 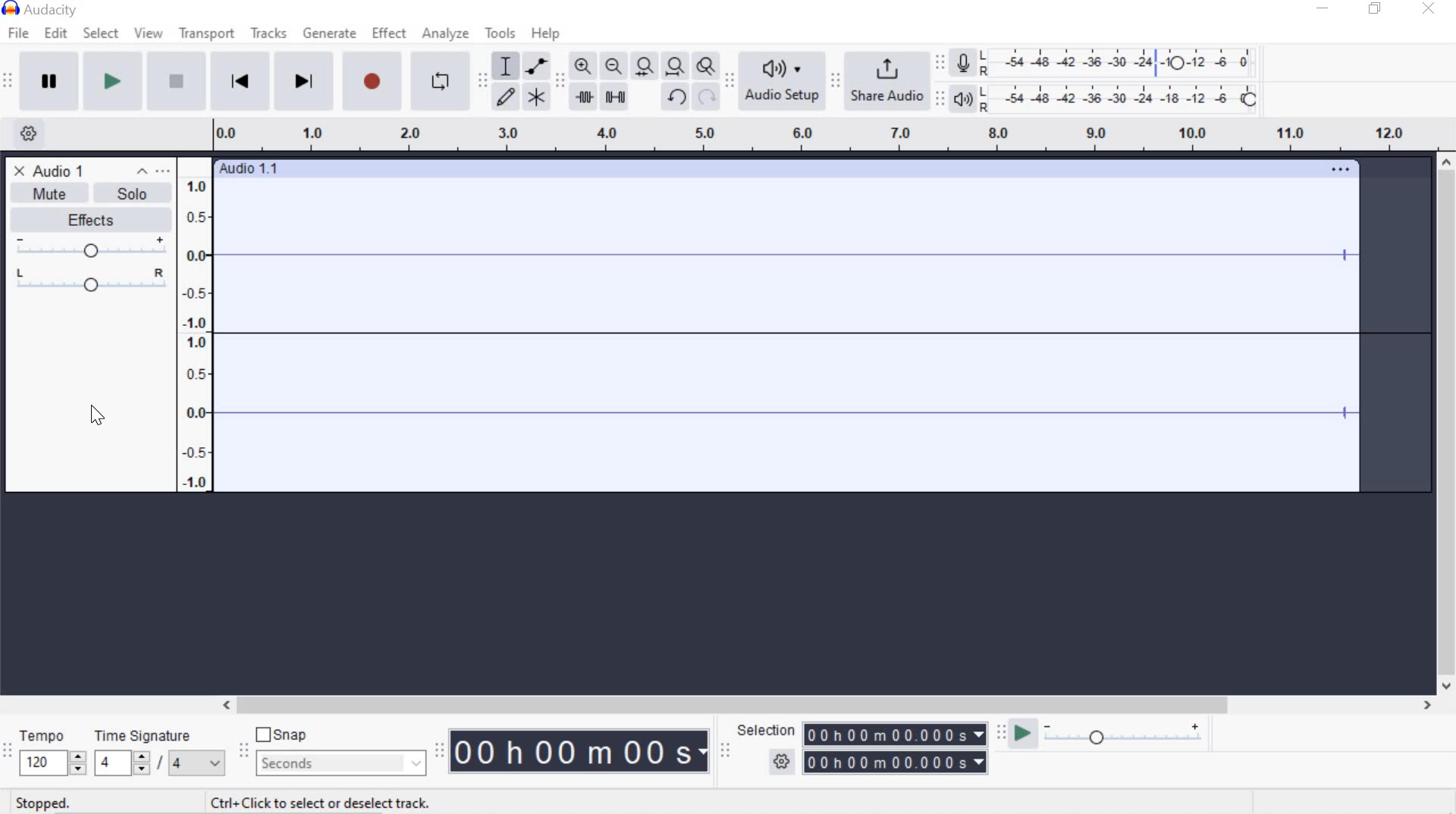 I want to click on Zoom In, so click(x=582, y=65).